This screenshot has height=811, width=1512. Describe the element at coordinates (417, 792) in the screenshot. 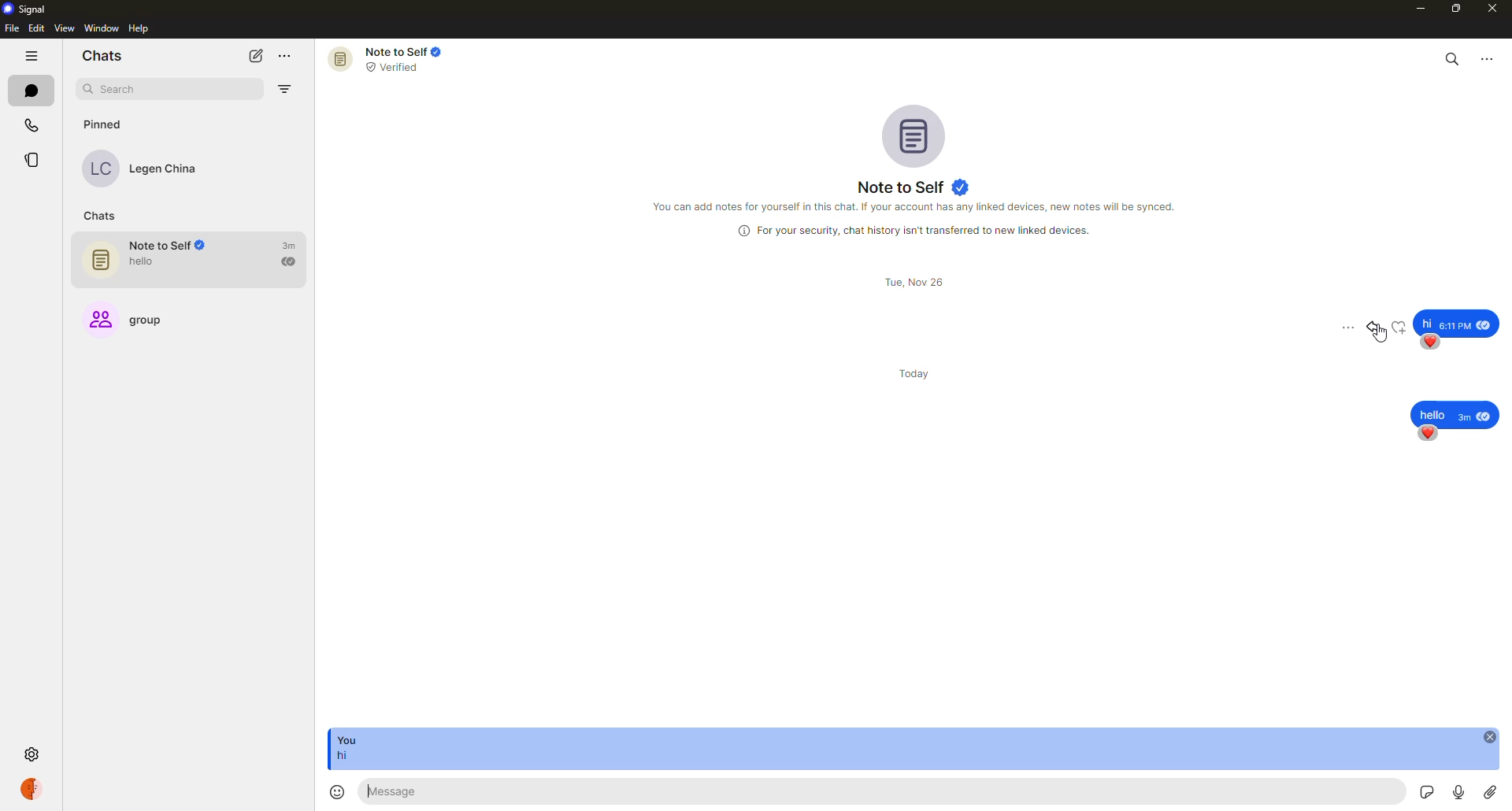

I see `message` at that location.